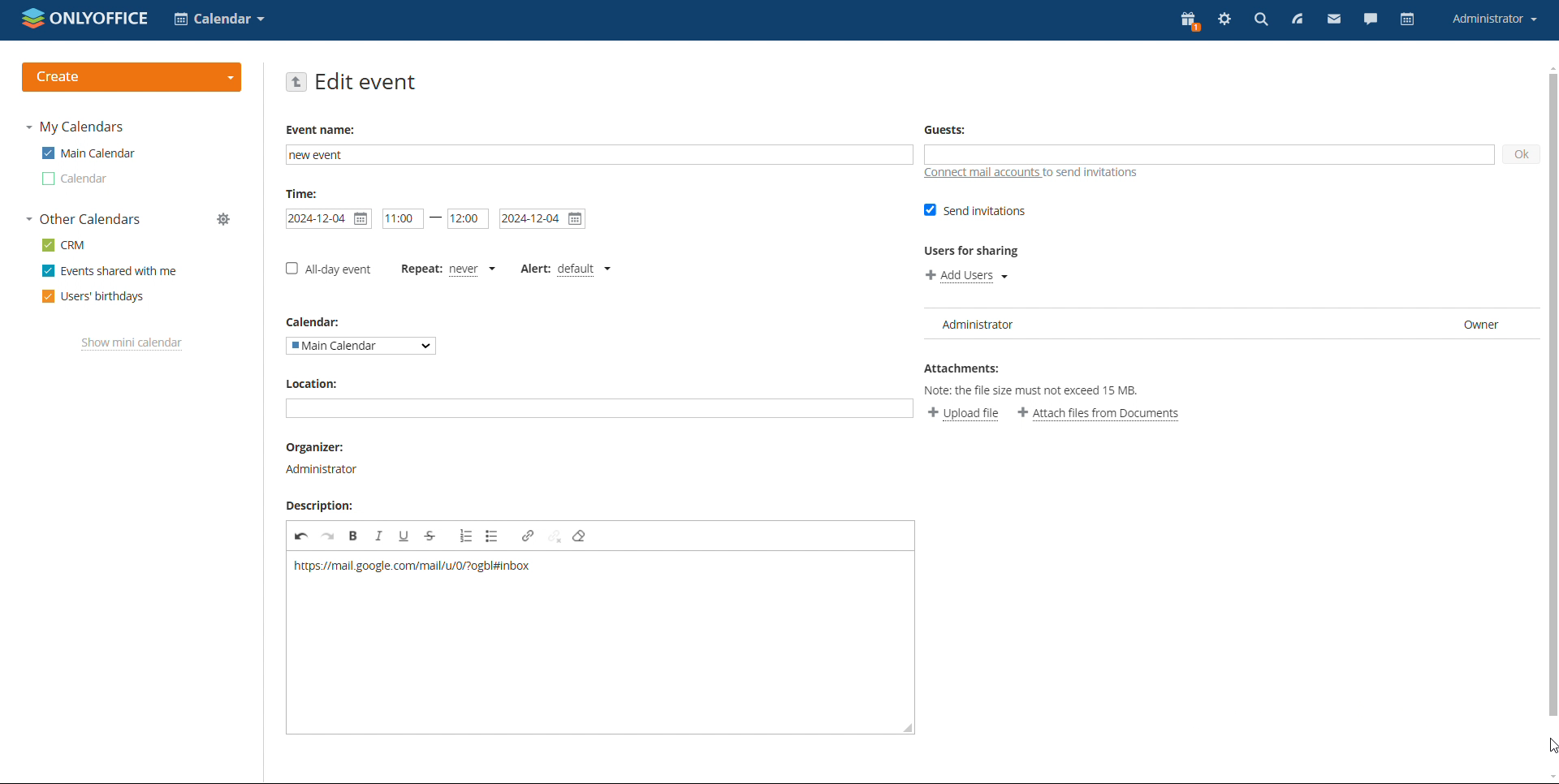  Describe the element at coordinates (218, 19) in the screenshot. I see `select application` at that location.